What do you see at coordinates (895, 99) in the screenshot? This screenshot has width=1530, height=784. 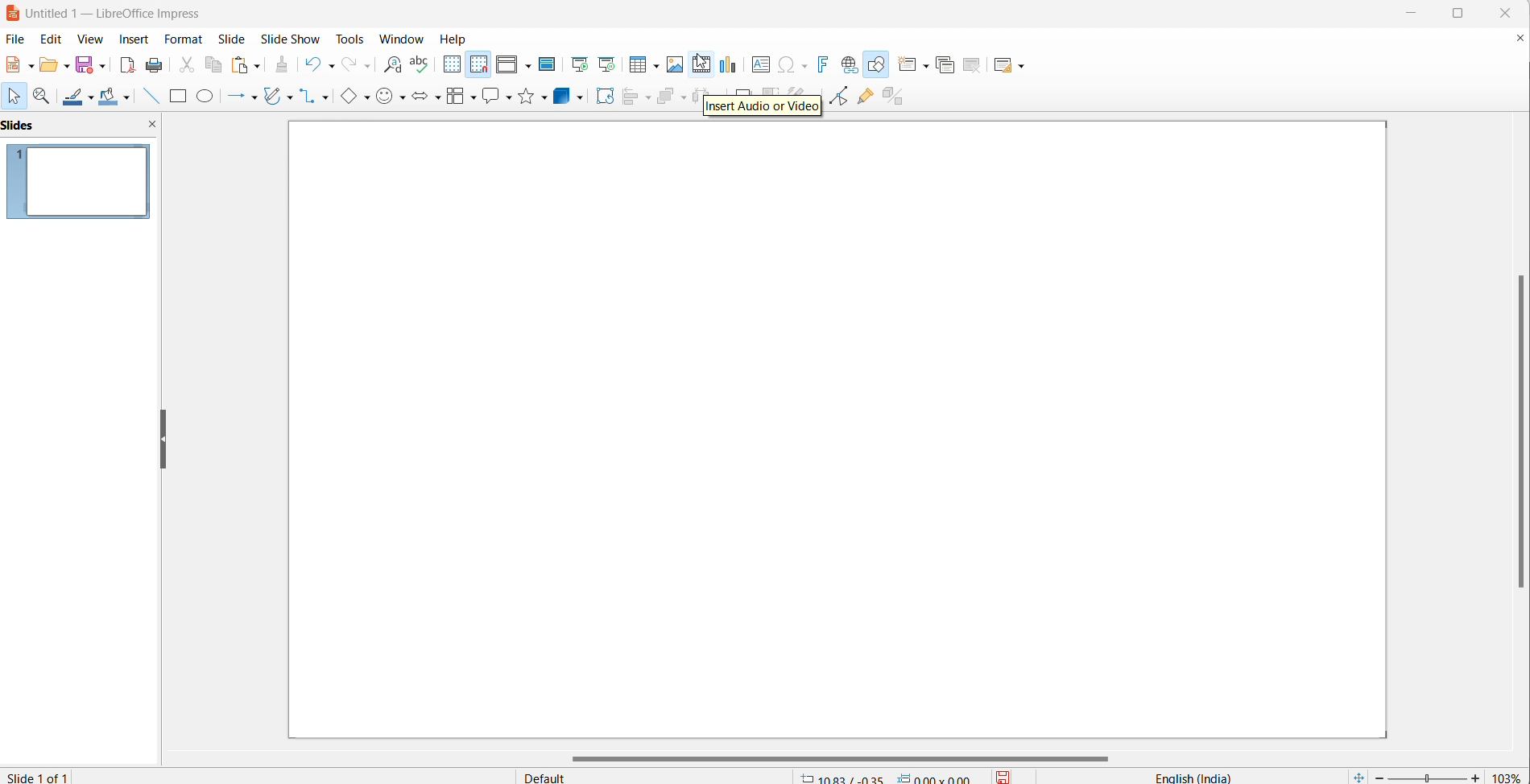 I see `toggle extrusion` at bounding box center [895, 99].